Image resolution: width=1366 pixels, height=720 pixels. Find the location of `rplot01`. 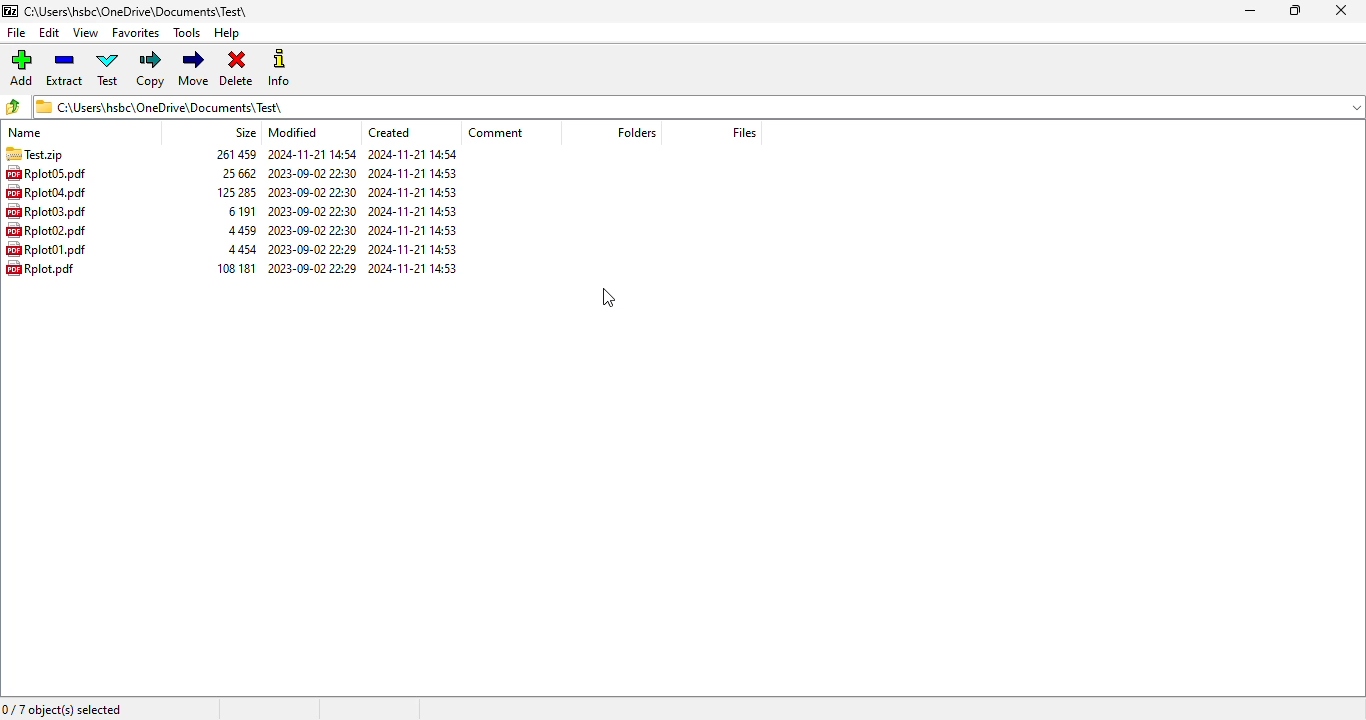

rplot01 is located at coordinates (47, 249).